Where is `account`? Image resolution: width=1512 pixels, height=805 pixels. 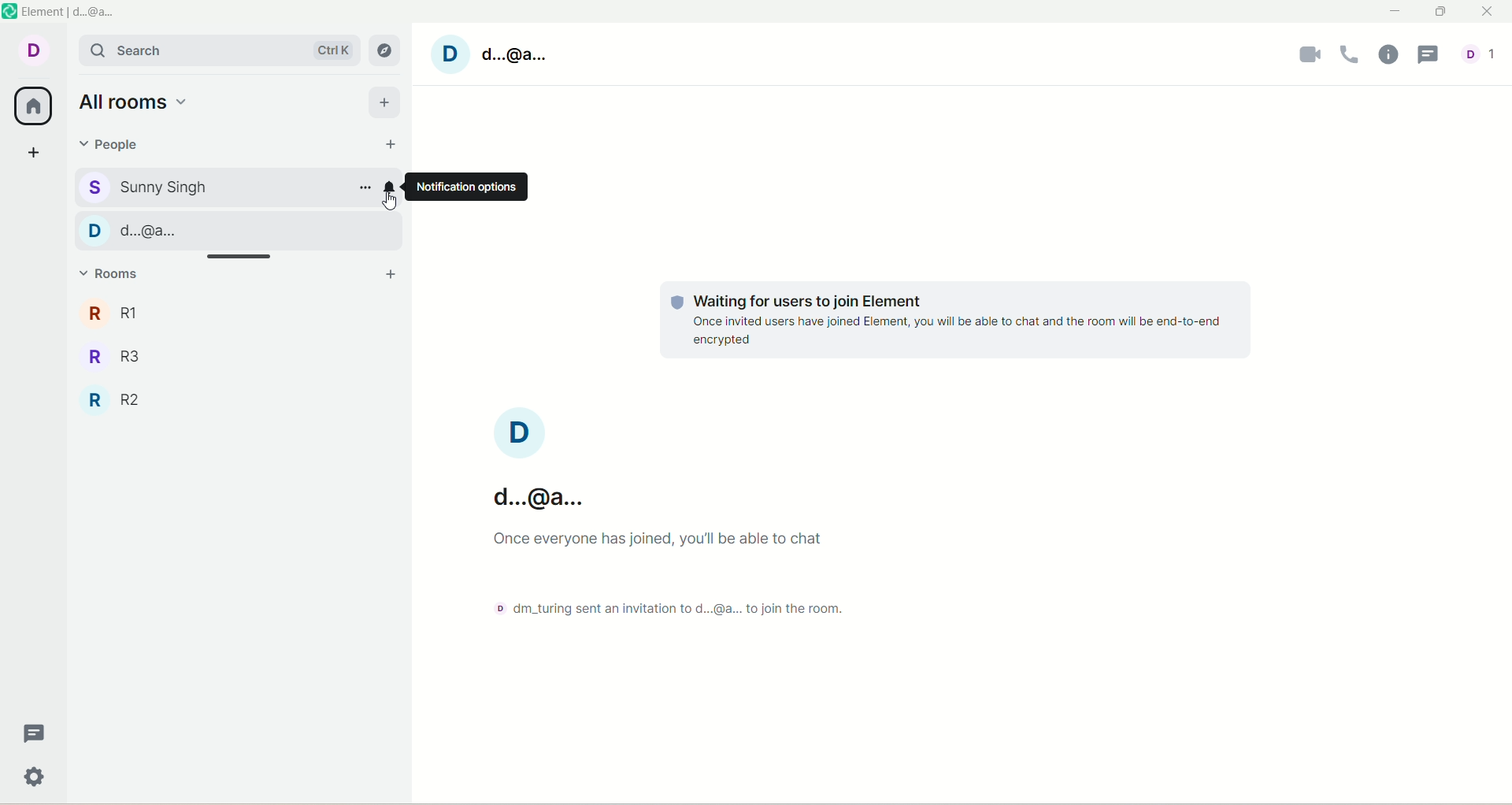 account is located at coordinates (495, 54).